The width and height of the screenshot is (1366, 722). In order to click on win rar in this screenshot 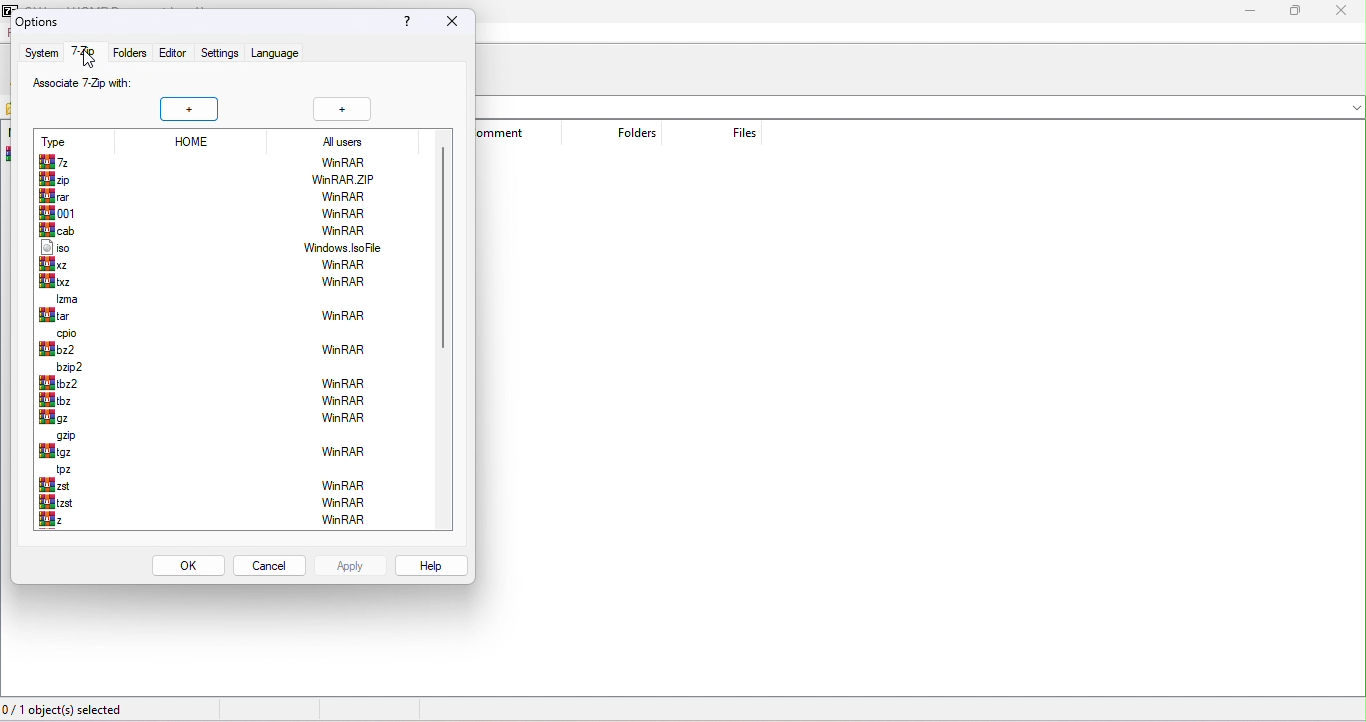, I will do `click(345, 232)`.